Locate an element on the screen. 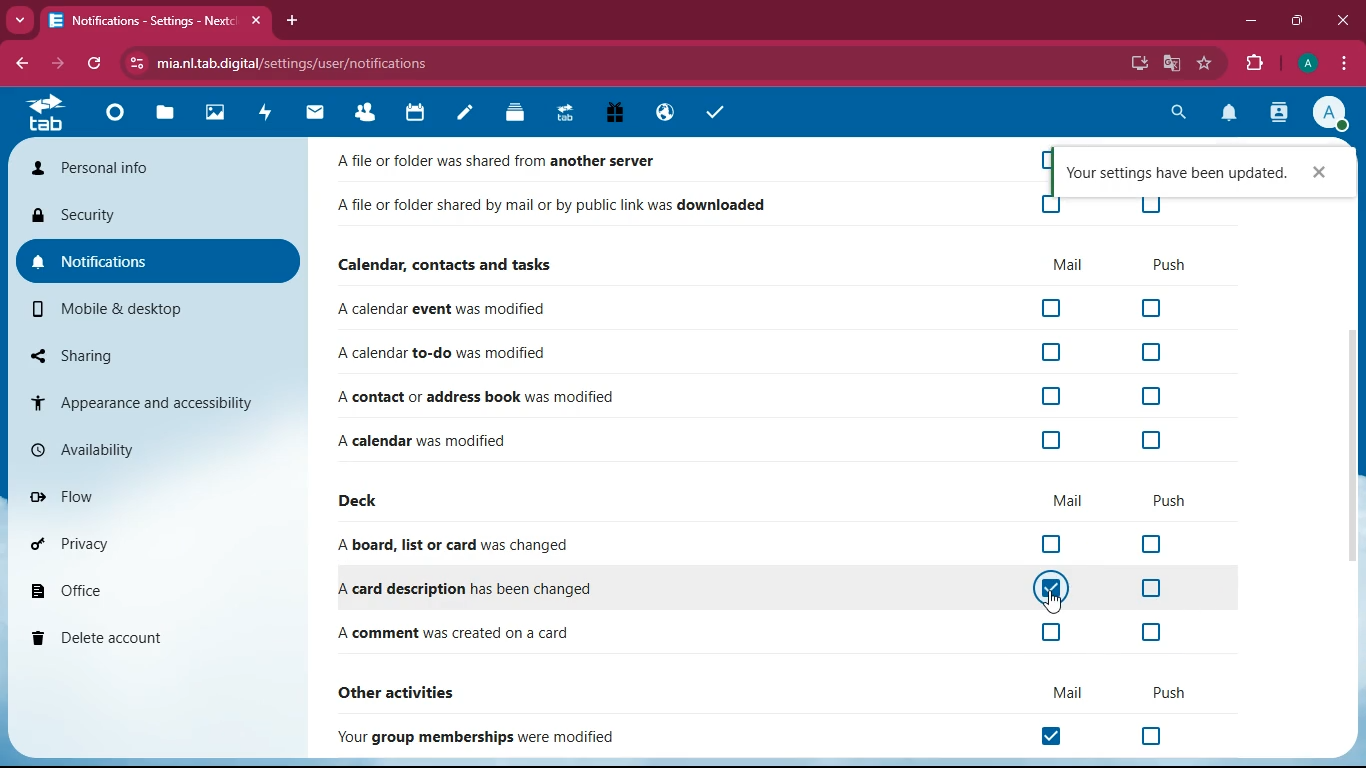 This screenshot has width=1366, height=768. A calendar event was modified is located at coordinates (447, 310).